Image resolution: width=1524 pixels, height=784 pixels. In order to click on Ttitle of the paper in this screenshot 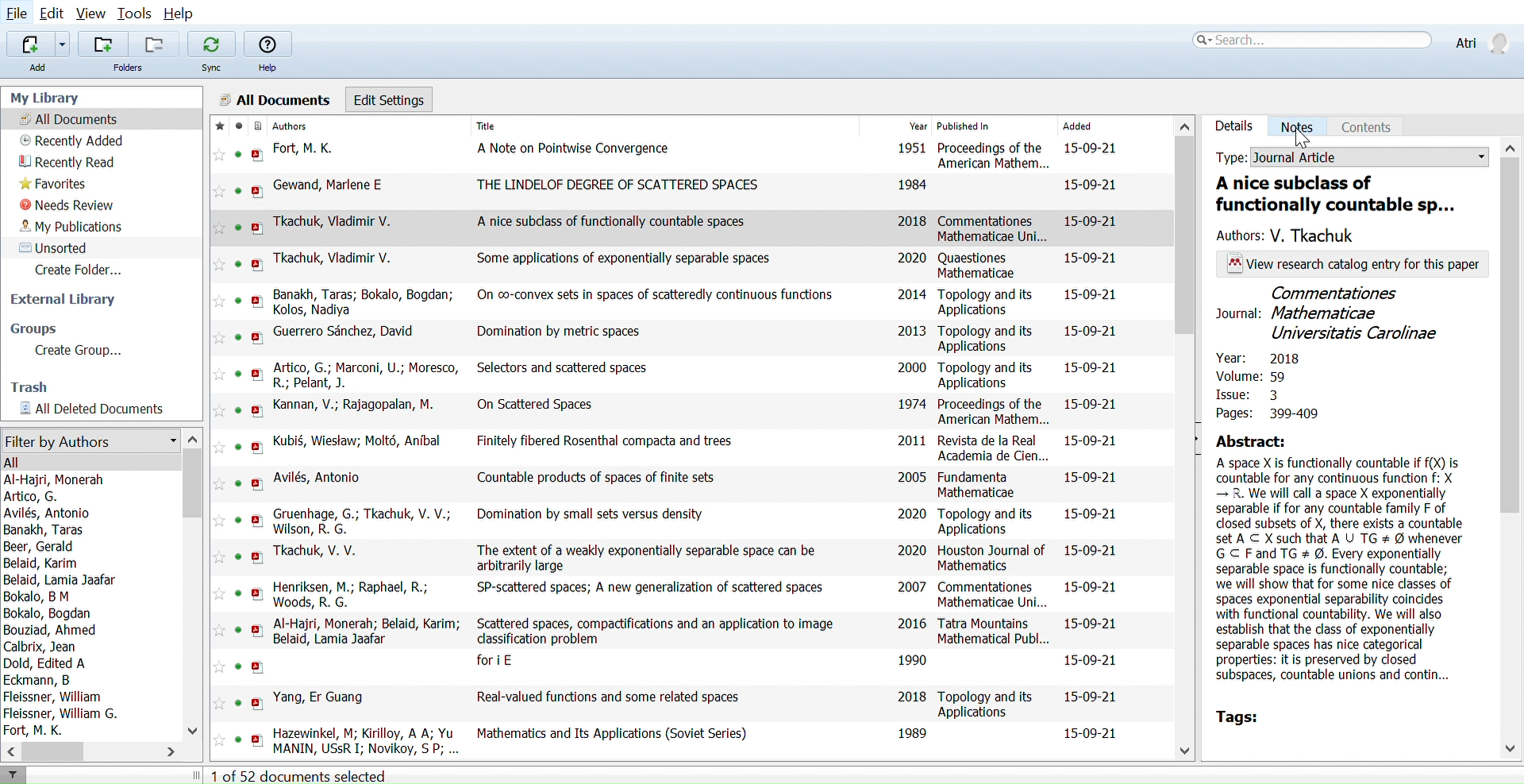, I will do `click(1339, 194)`.